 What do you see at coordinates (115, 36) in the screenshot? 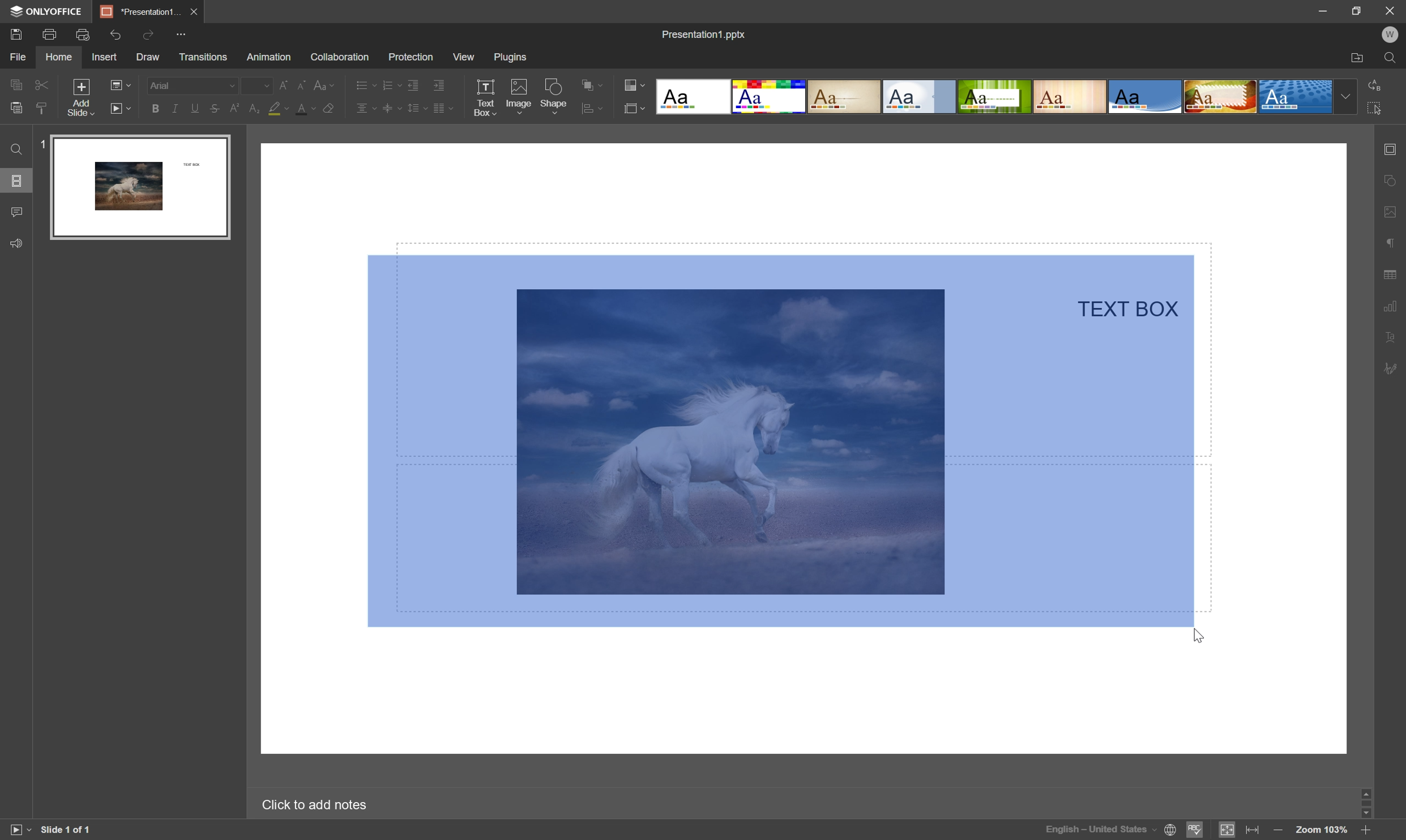
I see `undo` at bounding box center [115, 36].